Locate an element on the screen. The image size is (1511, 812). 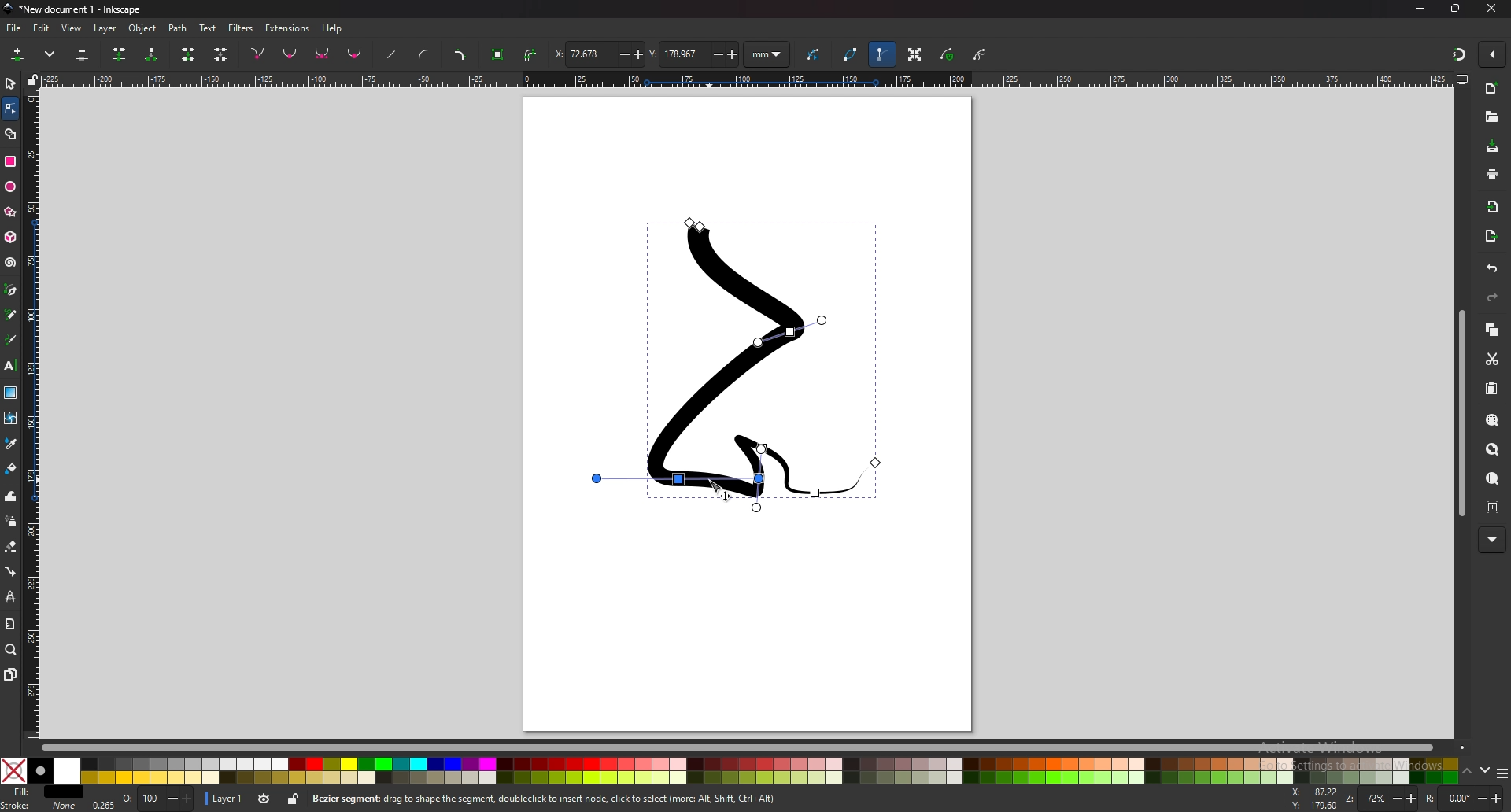
selector is located at coordinates (10, 84).